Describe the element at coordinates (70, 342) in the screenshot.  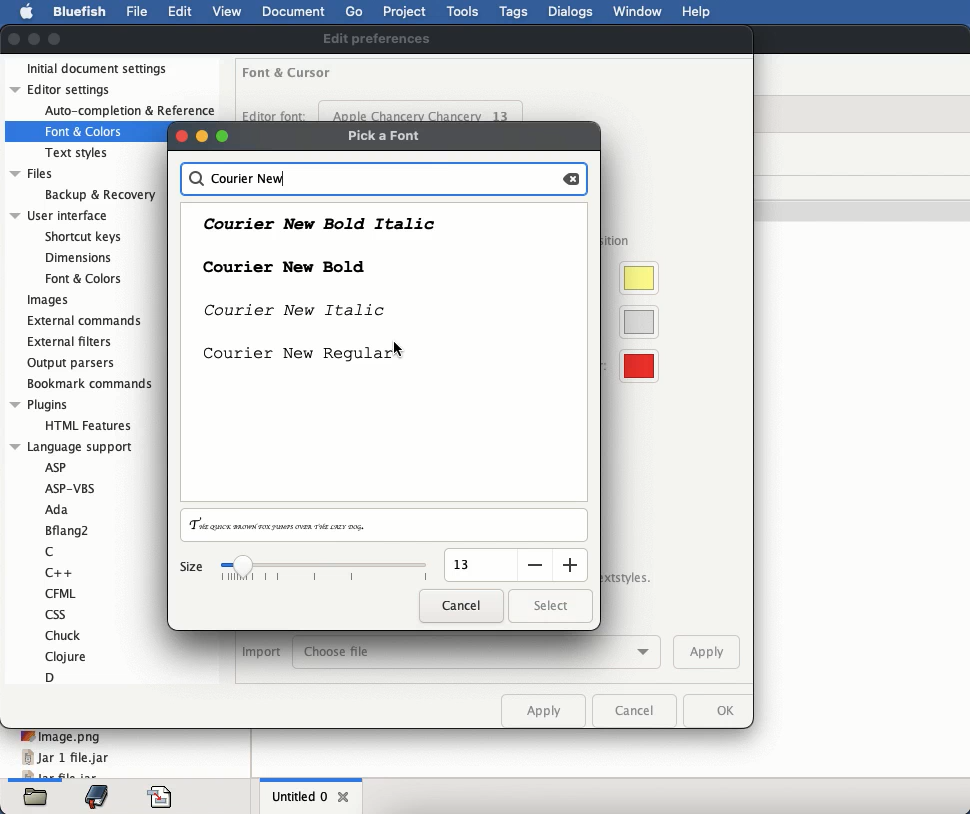
I see `external filters ` at that location.